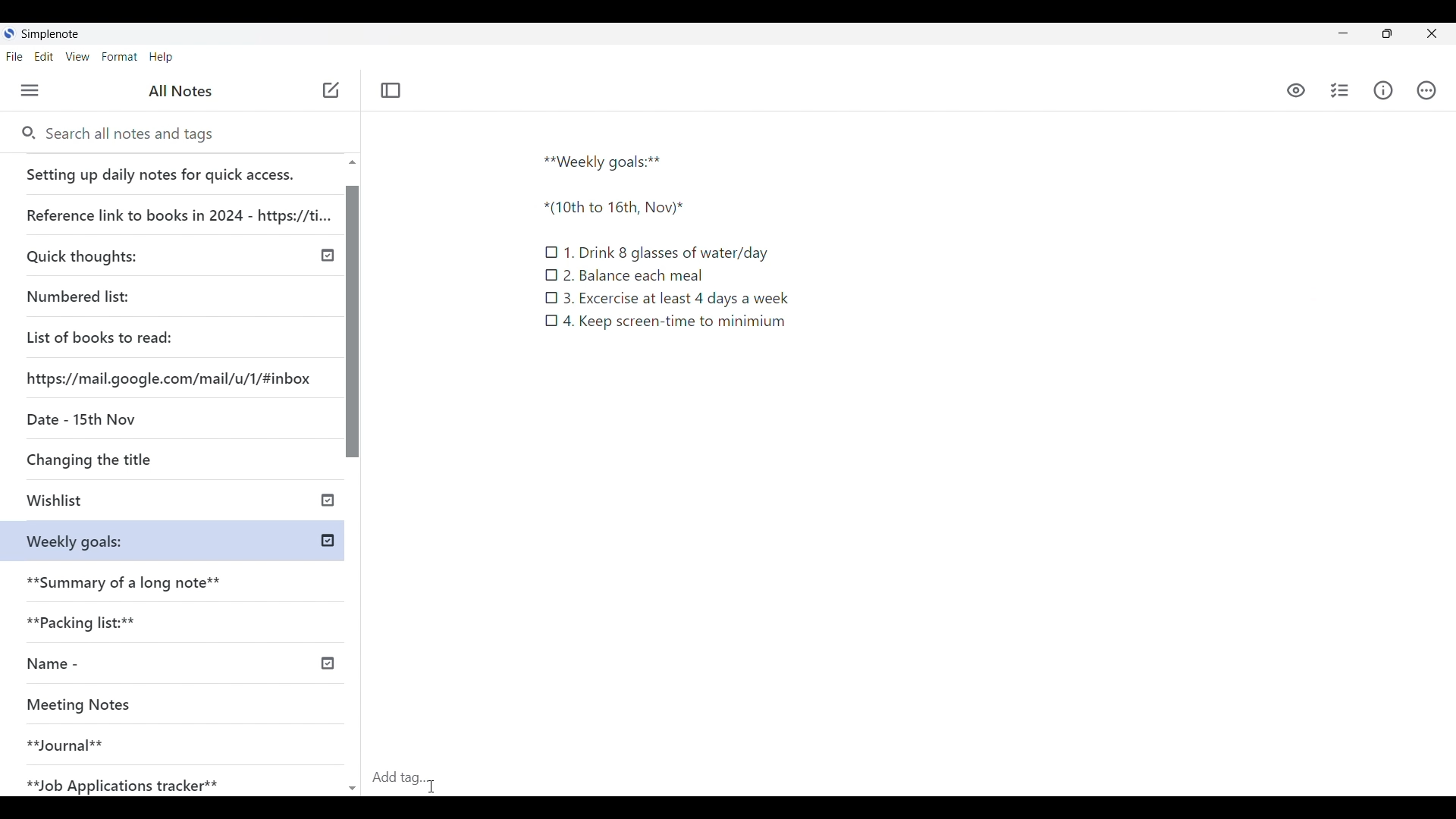 This screenshot has height=819, width=1456. What do you see at coordinates (391, 91) in the screenshot?
I see `Toggle focus mode` at bounding box center [391, 91].